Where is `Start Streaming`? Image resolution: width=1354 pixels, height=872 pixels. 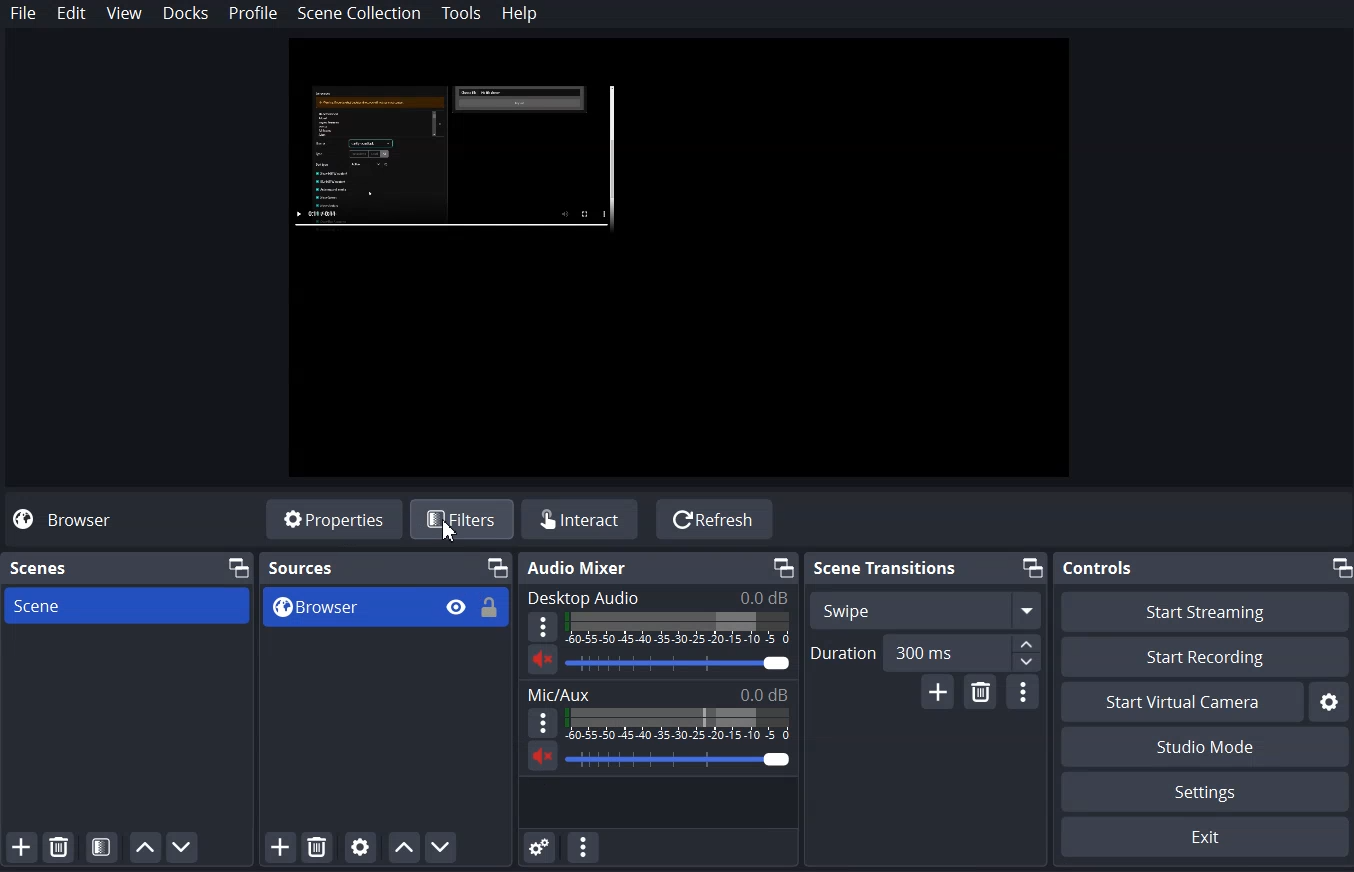
Start Streaming is located at coordinates (1206, 611).